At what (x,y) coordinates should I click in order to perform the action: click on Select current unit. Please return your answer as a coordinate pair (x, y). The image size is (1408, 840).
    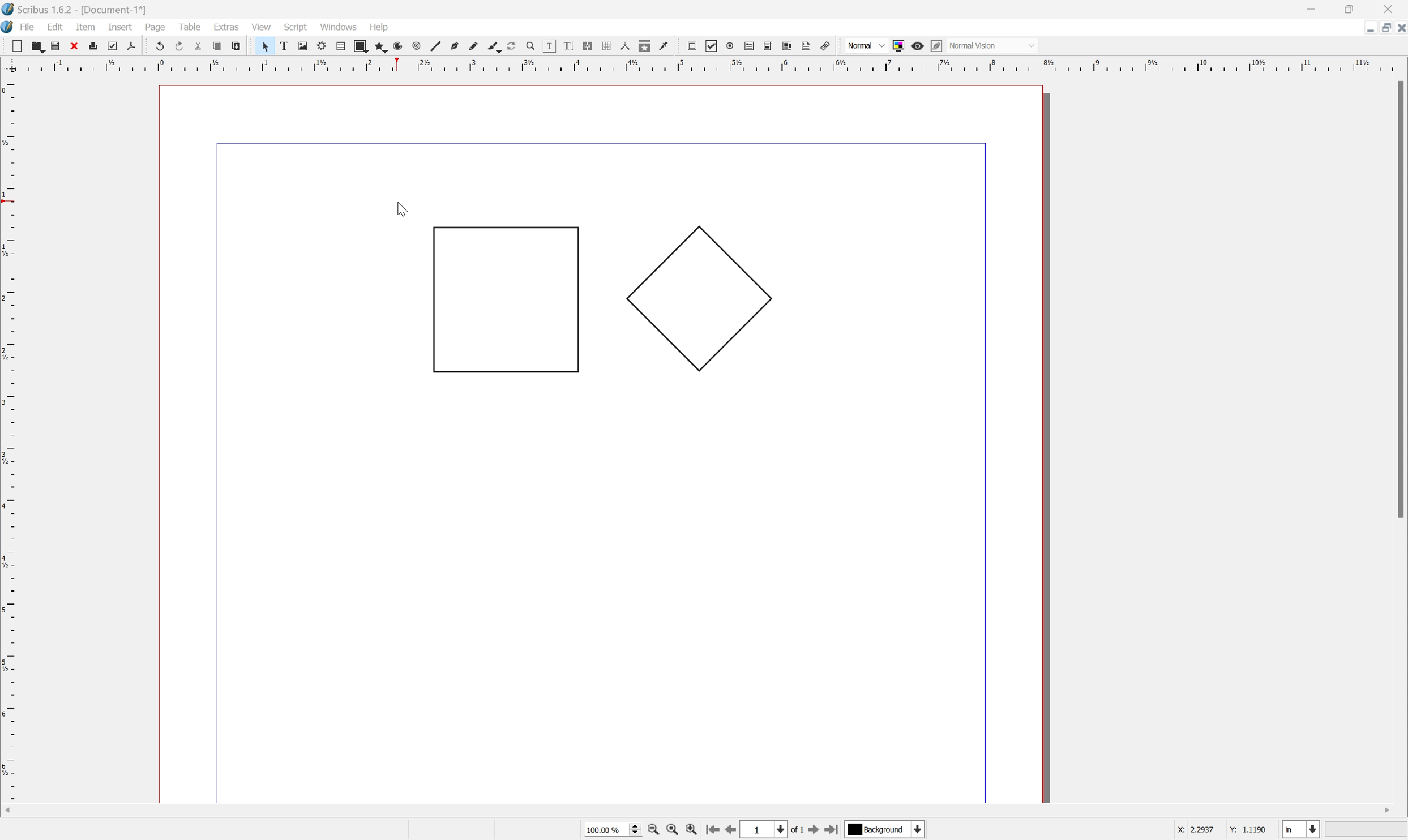
    Looking at the image, I should click on (1301, 830).